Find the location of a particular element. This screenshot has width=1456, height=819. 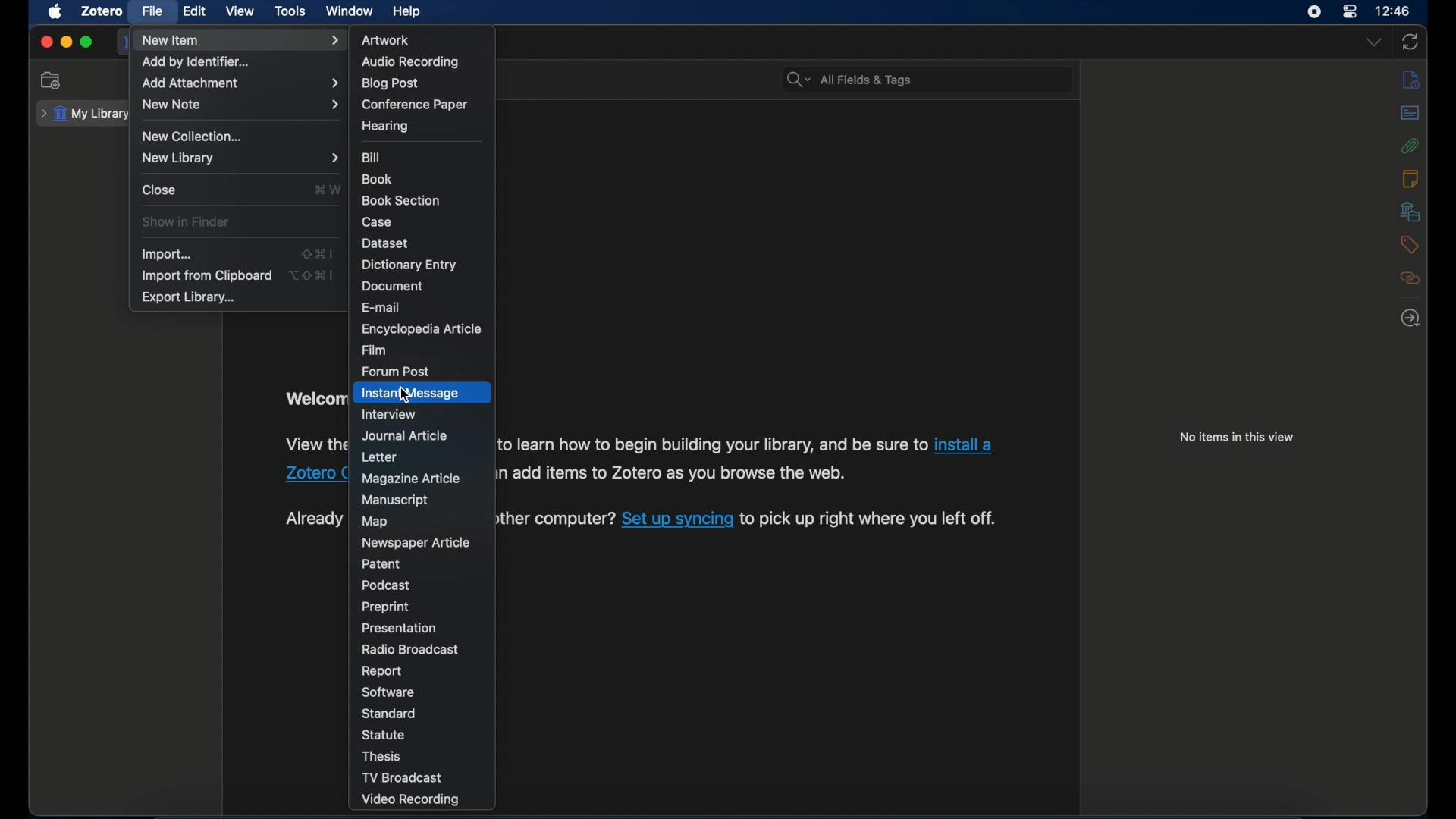

new collection is located at coordinates (191, 136).